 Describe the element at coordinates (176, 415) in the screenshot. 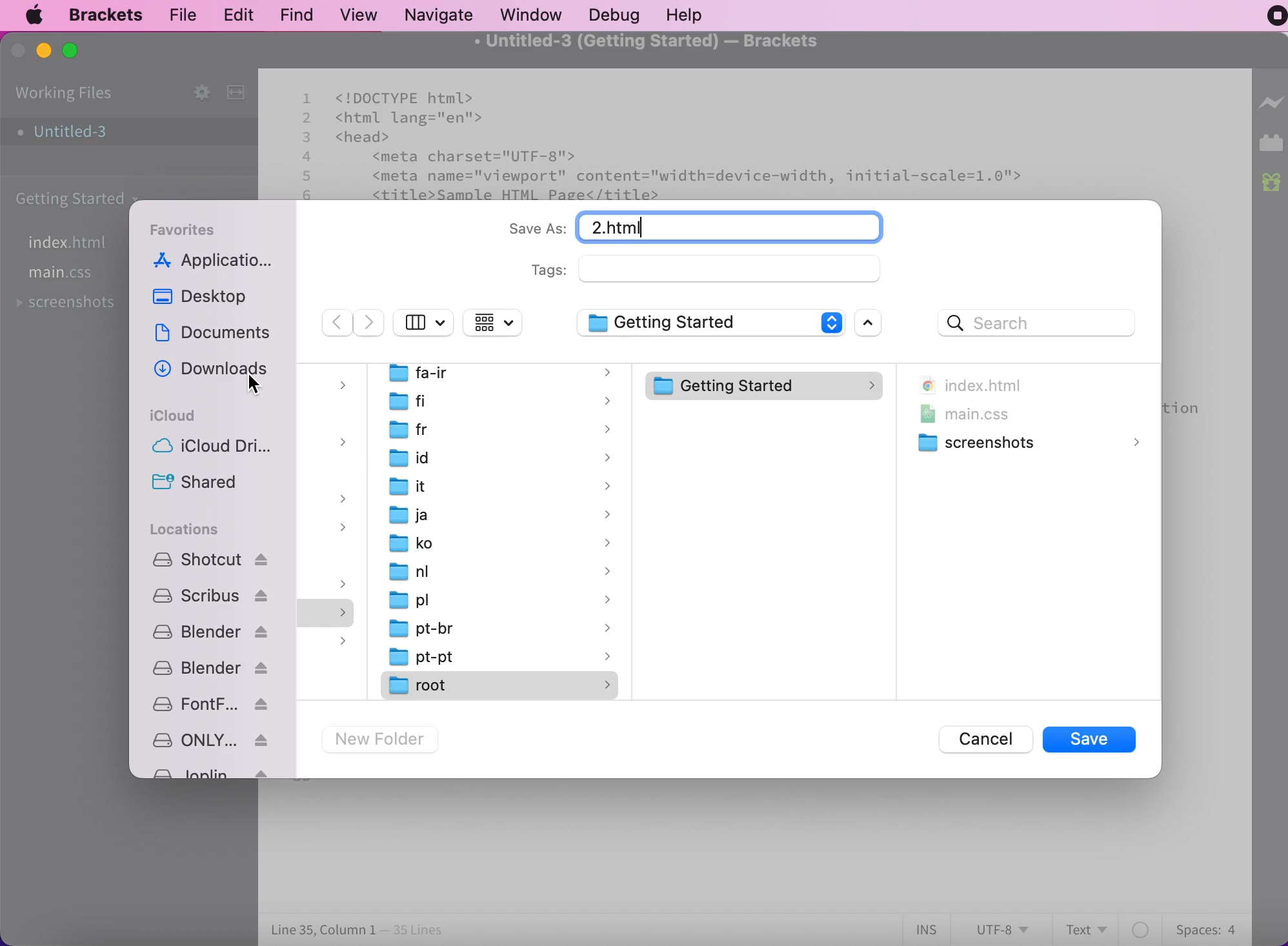

I see `icloud` at that location.